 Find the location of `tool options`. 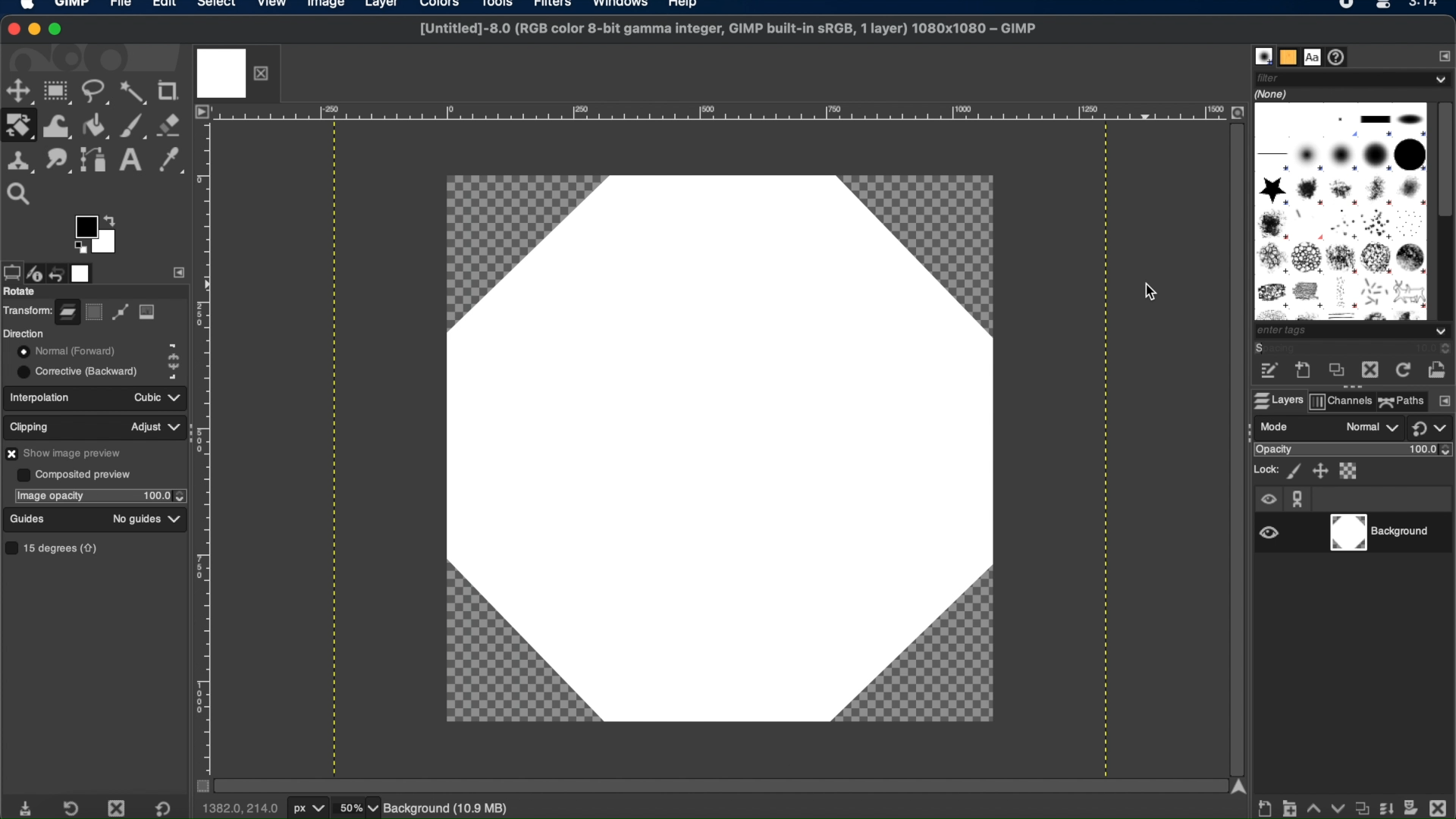

tool options is located at coordinates (11, 271).